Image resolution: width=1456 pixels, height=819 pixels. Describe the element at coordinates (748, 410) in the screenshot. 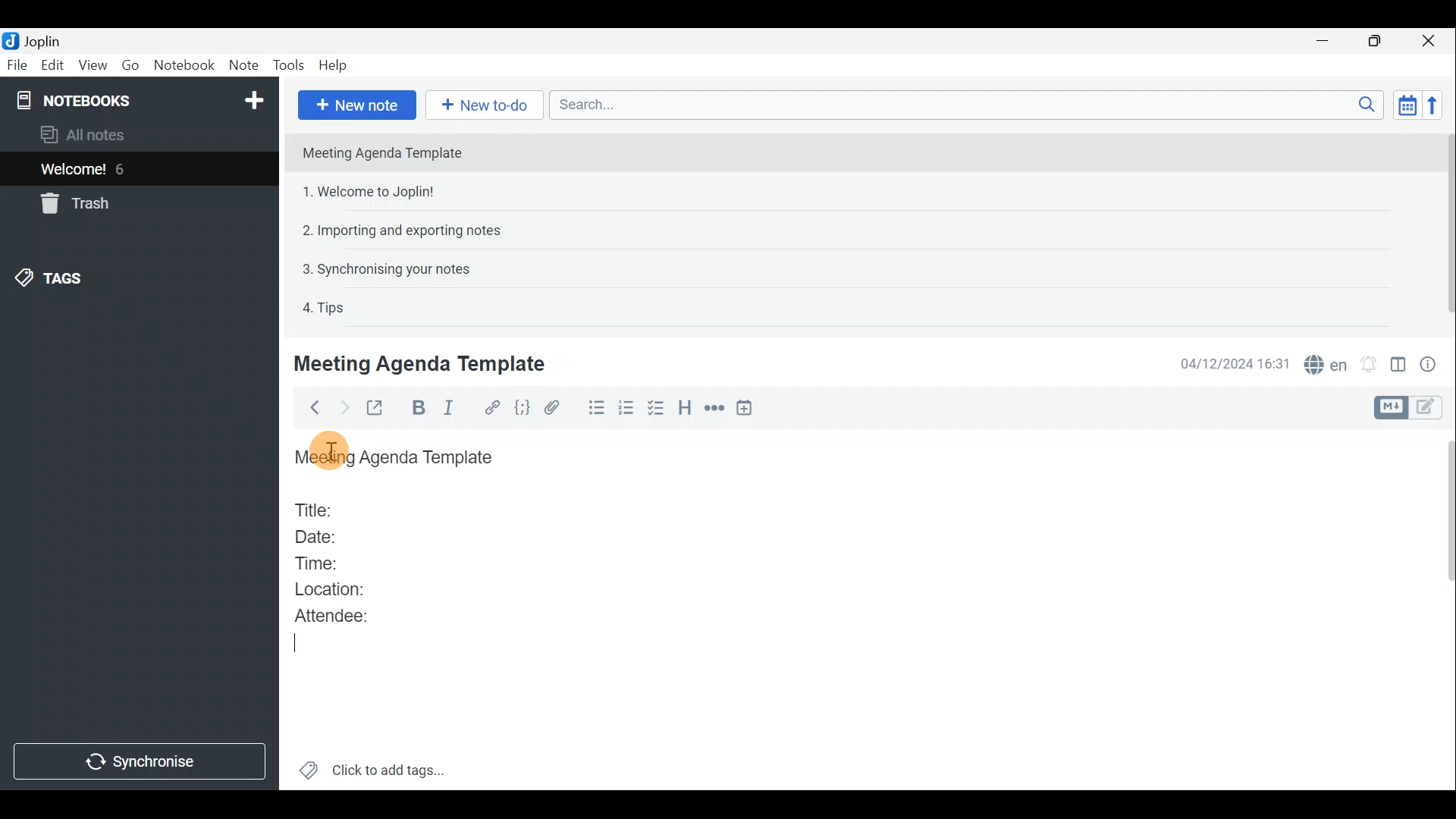

I see `Insert time` at that location.